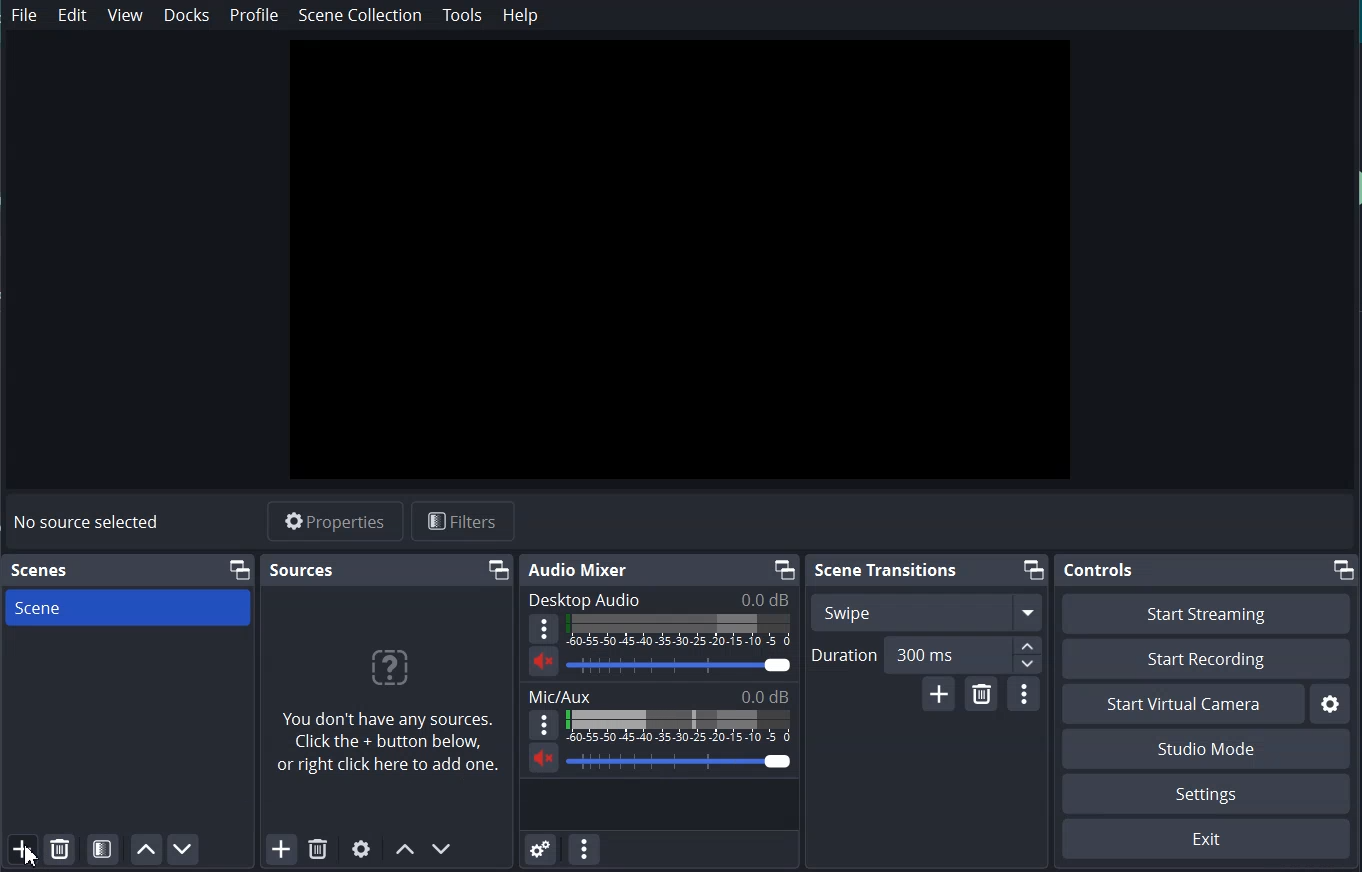 This screenshot has height=872, width=1362. I want to click on Scene Transition, so click(887, 571).